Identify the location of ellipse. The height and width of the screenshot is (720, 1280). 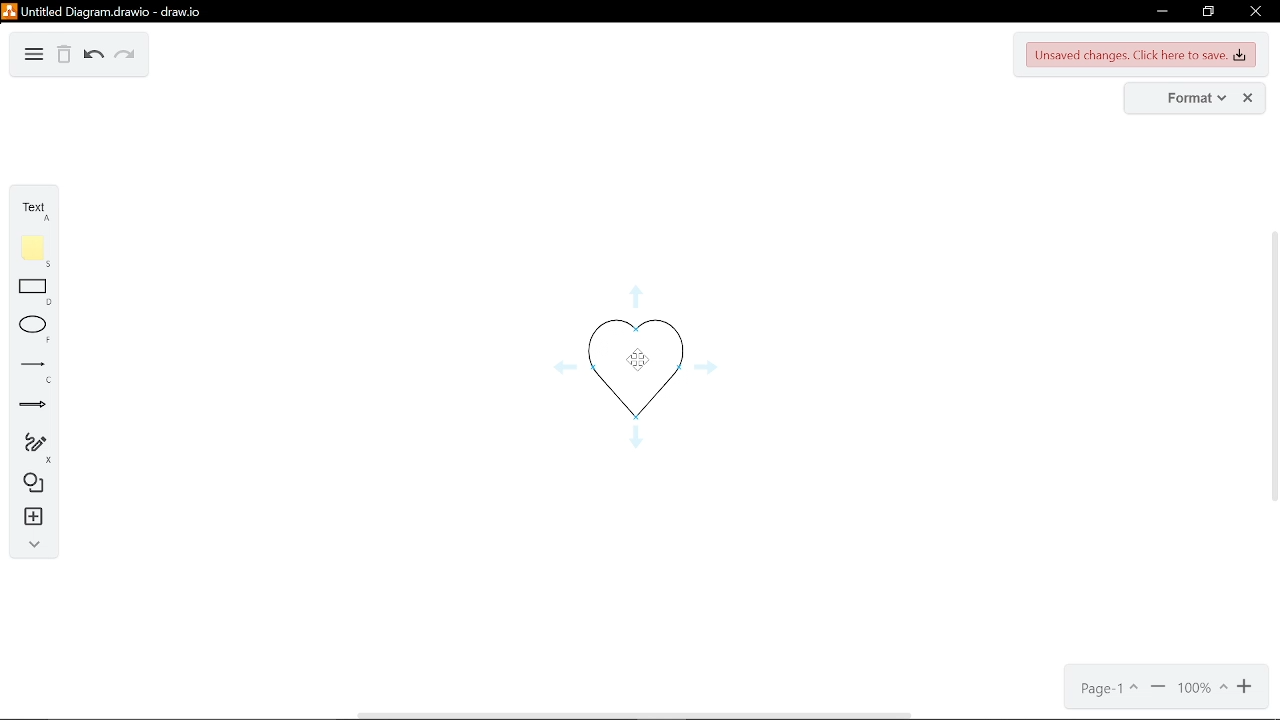
(34, 329).